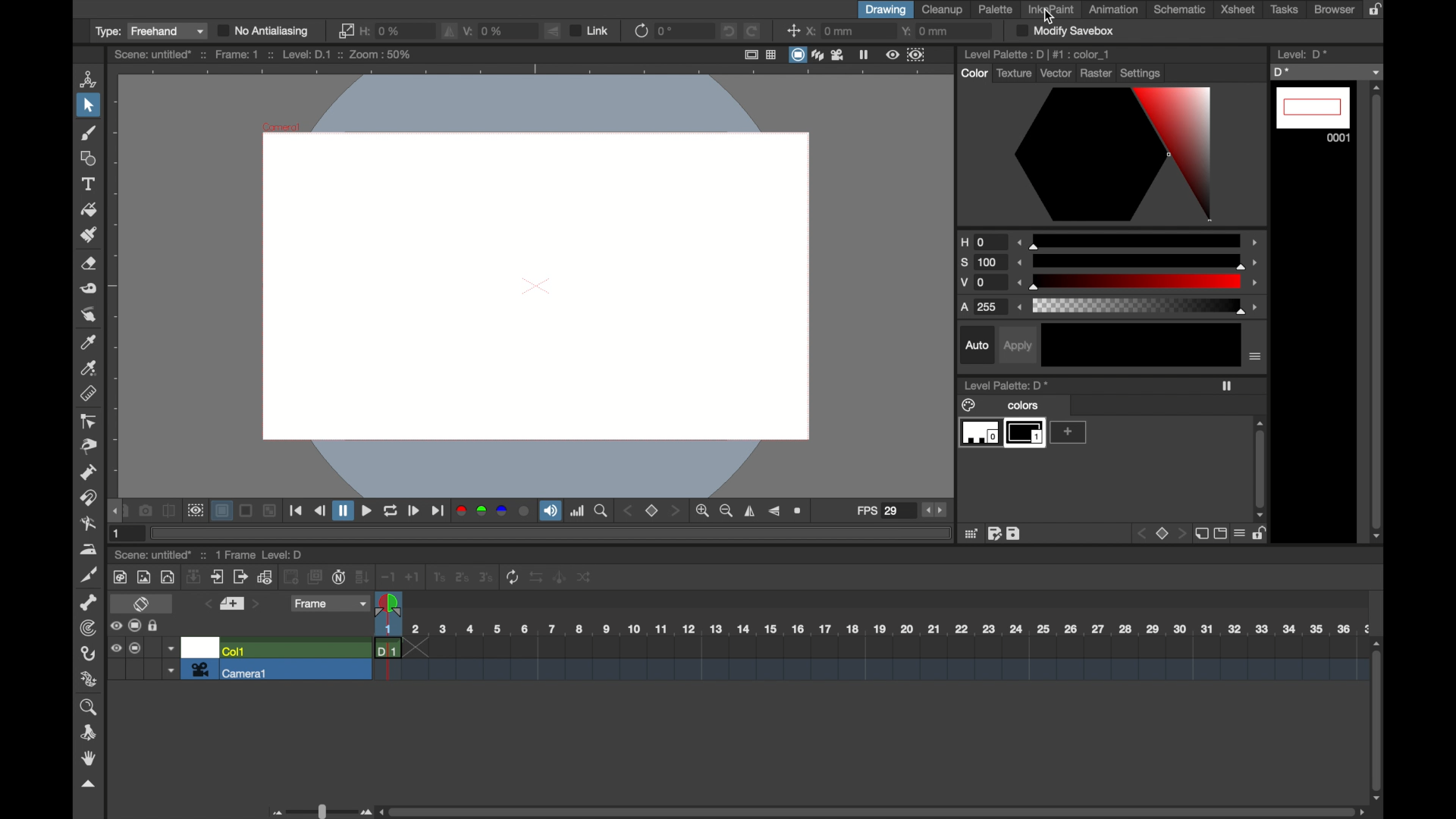 The height and width of the screenshot is (819, 1456). I want to click on camera1, so click(231, 670).